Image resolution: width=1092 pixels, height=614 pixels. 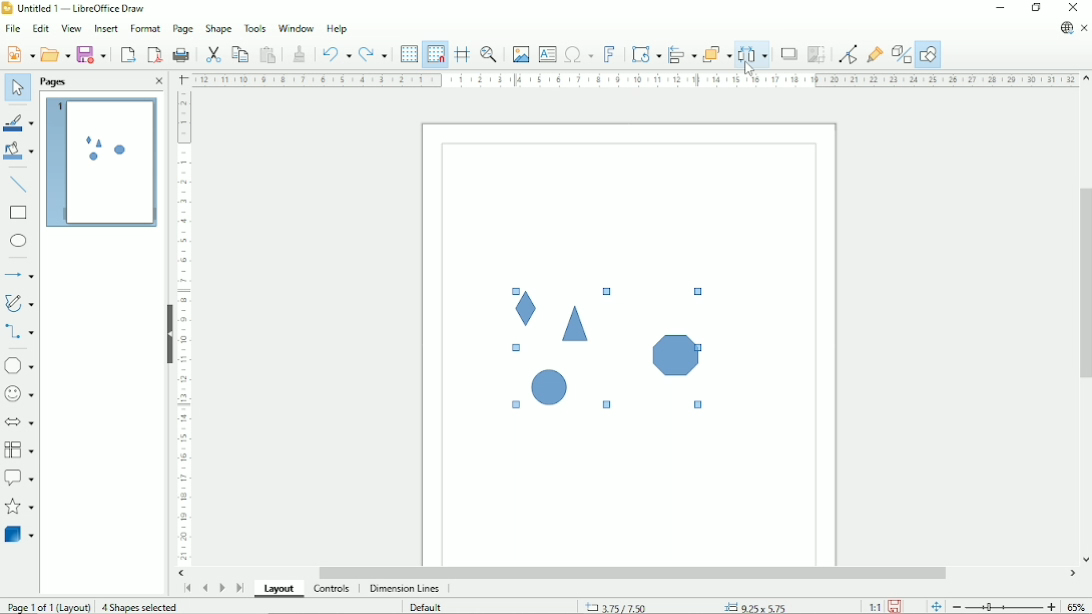 I want to click on Flowchart, so click(x=20, y=450).